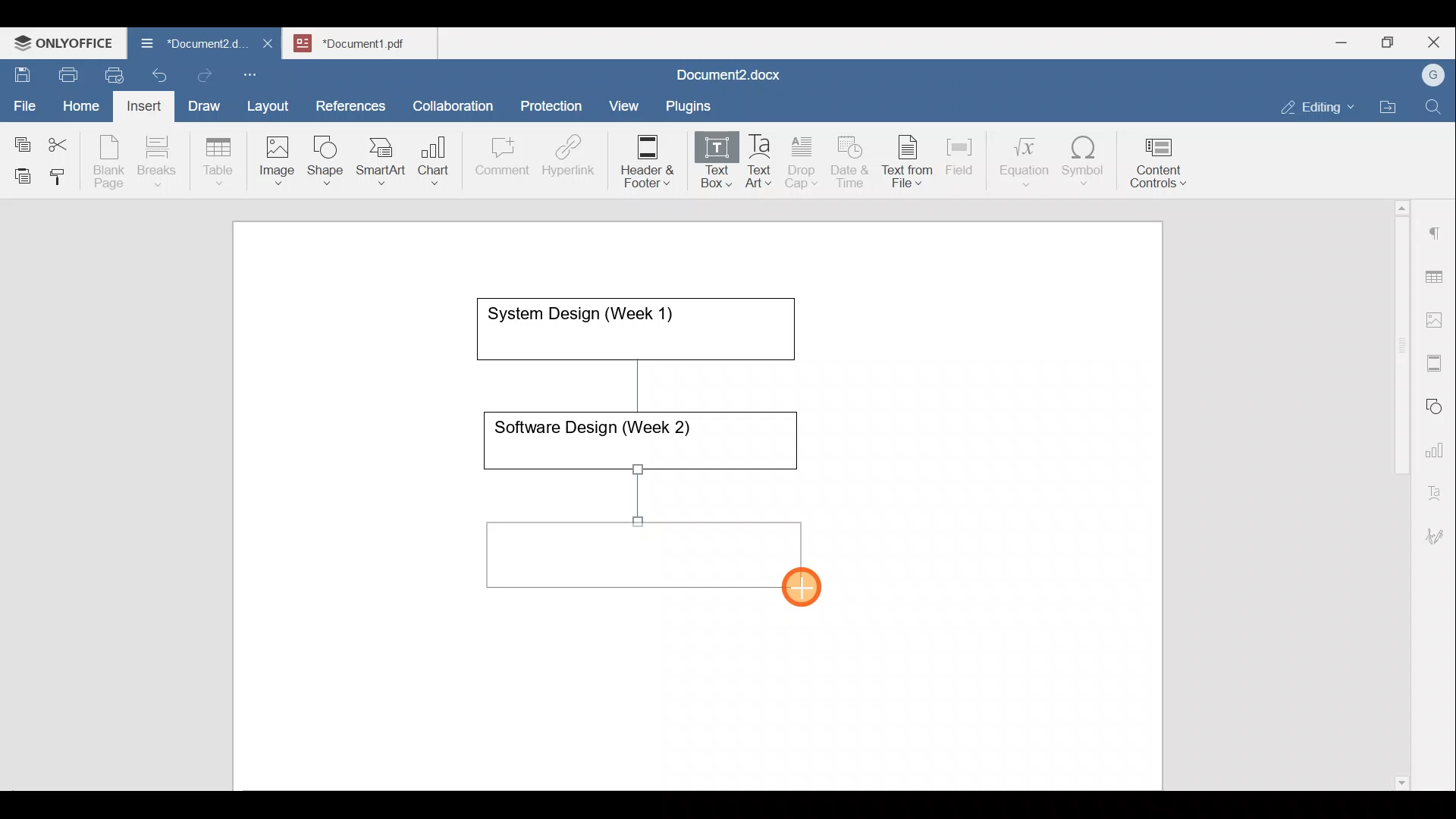 This screenshot has height=819, width=1456. Describe the element at coordinates (369, 41) in the screenshot. I see `Document name` at that location.